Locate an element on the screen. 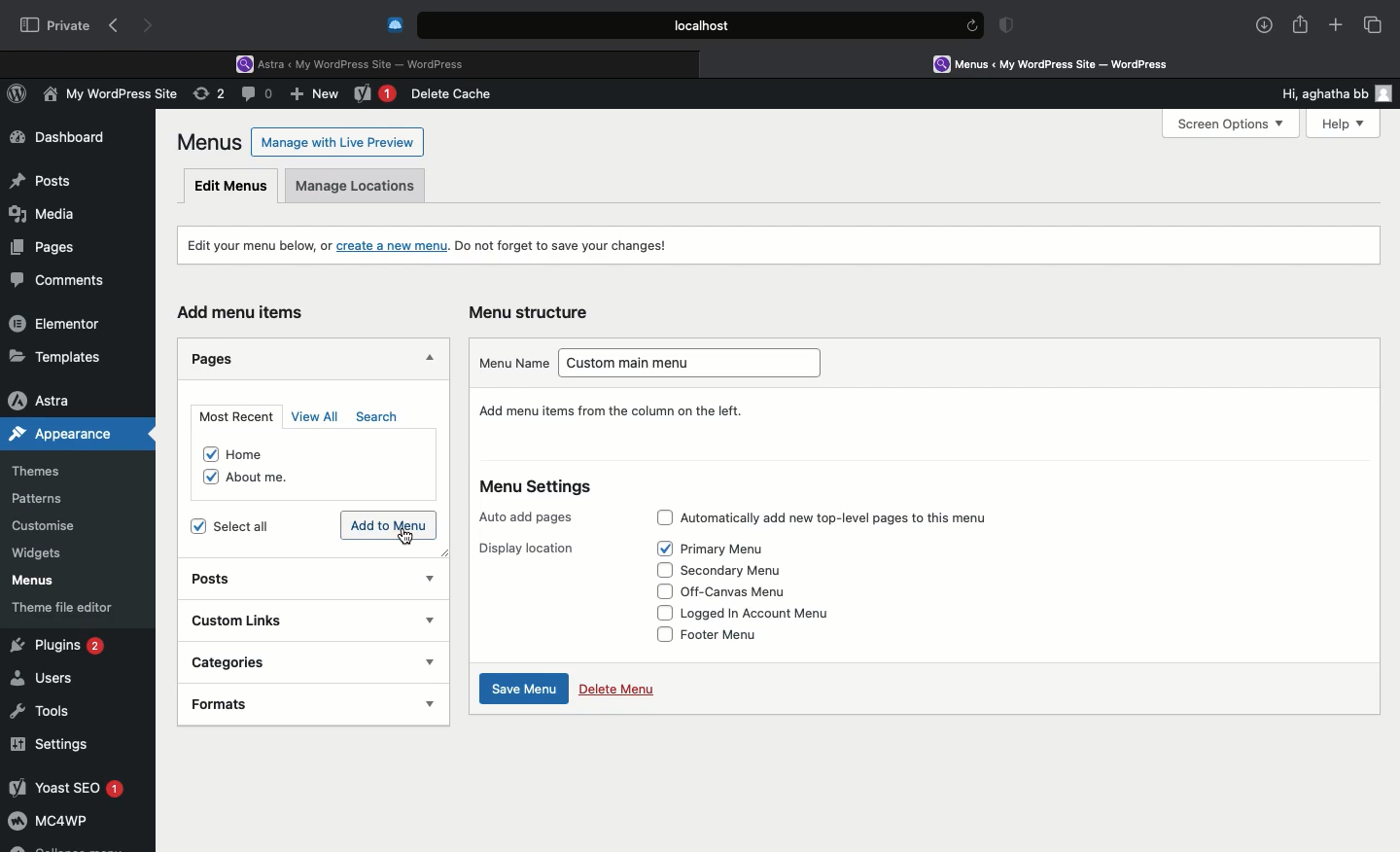  Share is located at coordinates (1301, 25).